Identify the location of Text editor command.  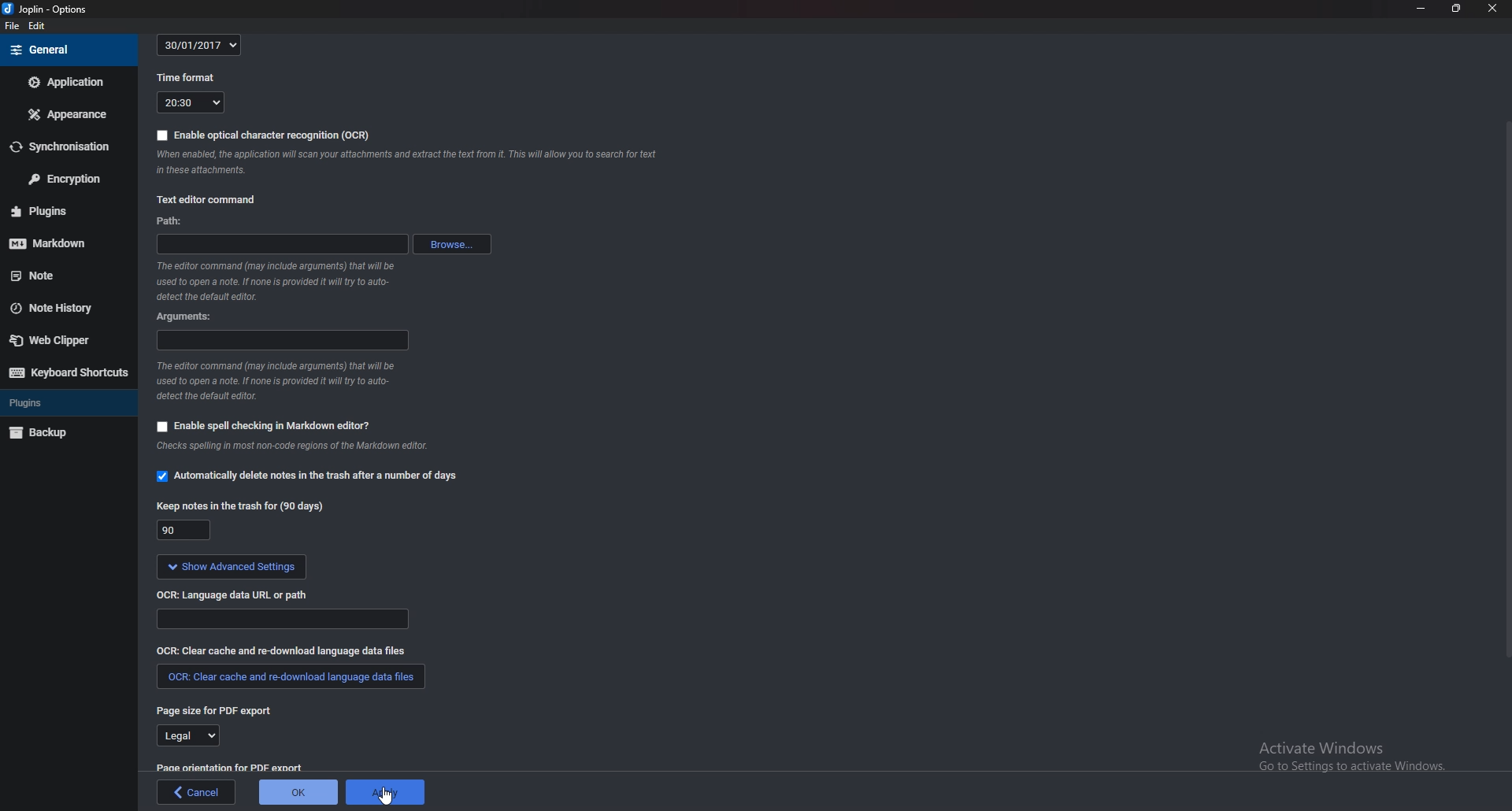
(208, 200).